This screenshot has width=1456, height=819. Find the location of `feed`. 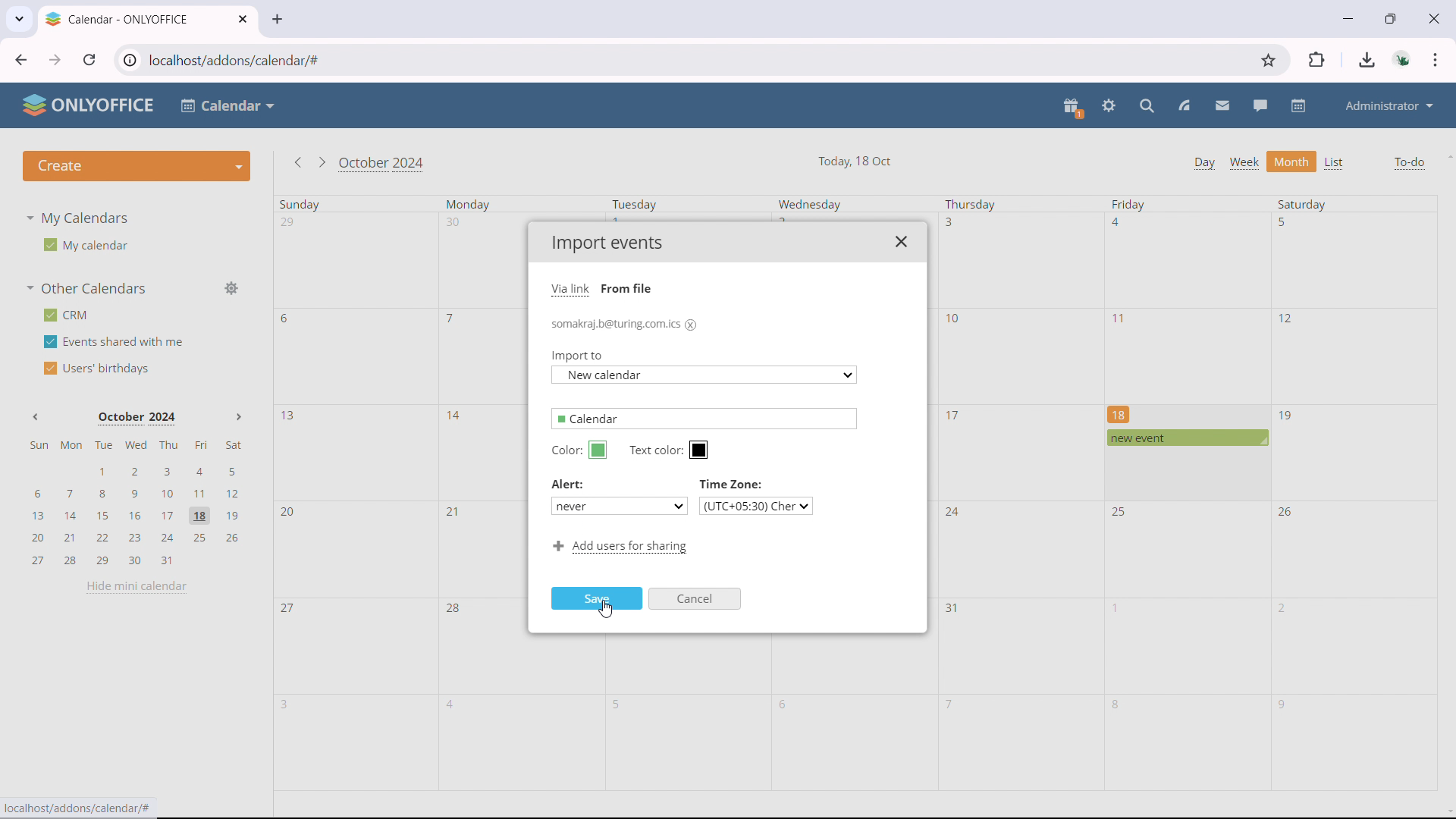

feed is located at coordinates (1183, 106).